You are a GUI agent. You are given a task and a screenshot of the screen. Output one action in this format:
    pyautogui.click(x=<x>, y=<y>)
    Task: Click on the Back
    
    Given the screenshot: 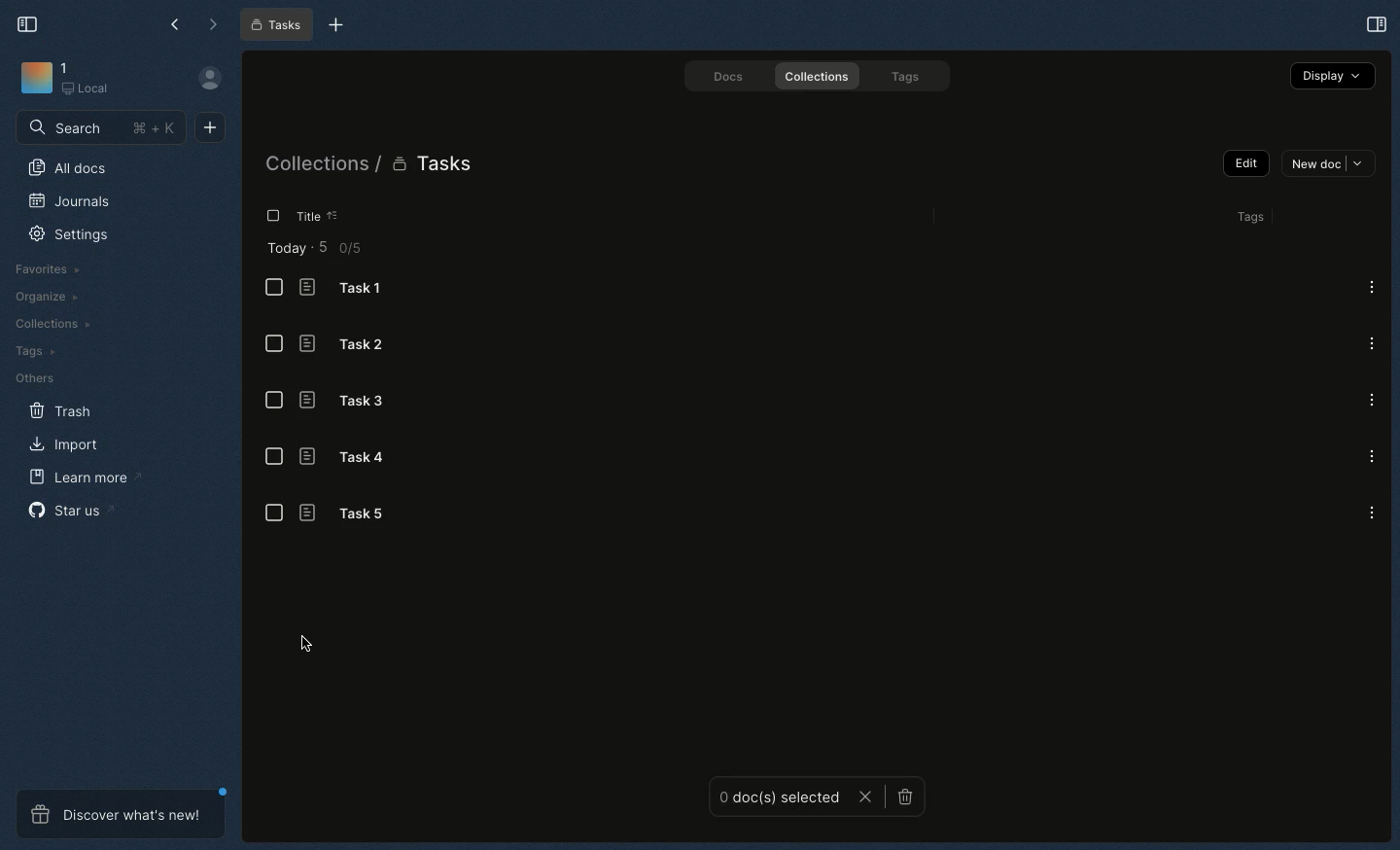 What is the action you would take?
    pyautogui.click(x=176, y=23)
    